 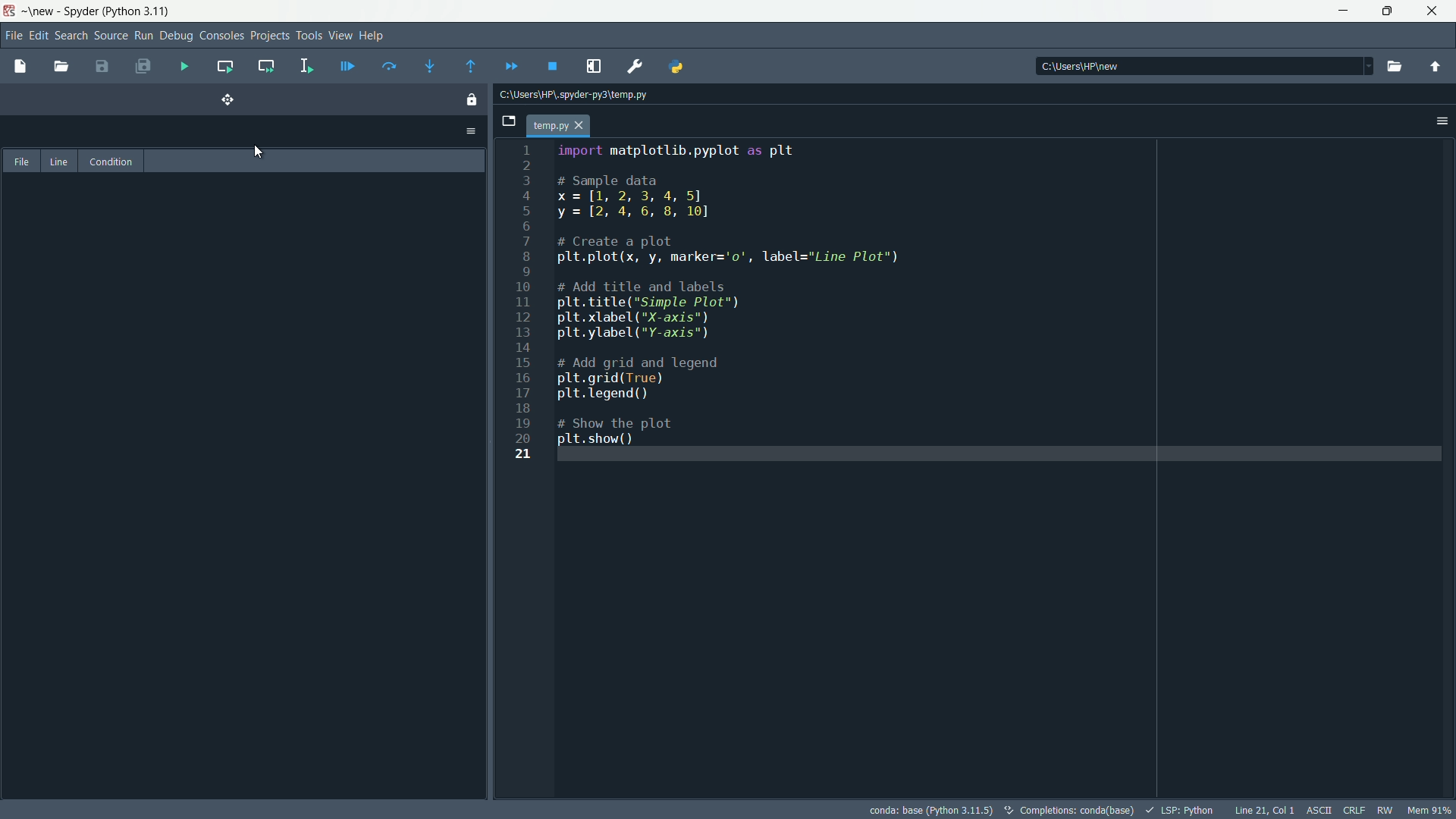 I want to click on project menu, so click(x=268, y=33).